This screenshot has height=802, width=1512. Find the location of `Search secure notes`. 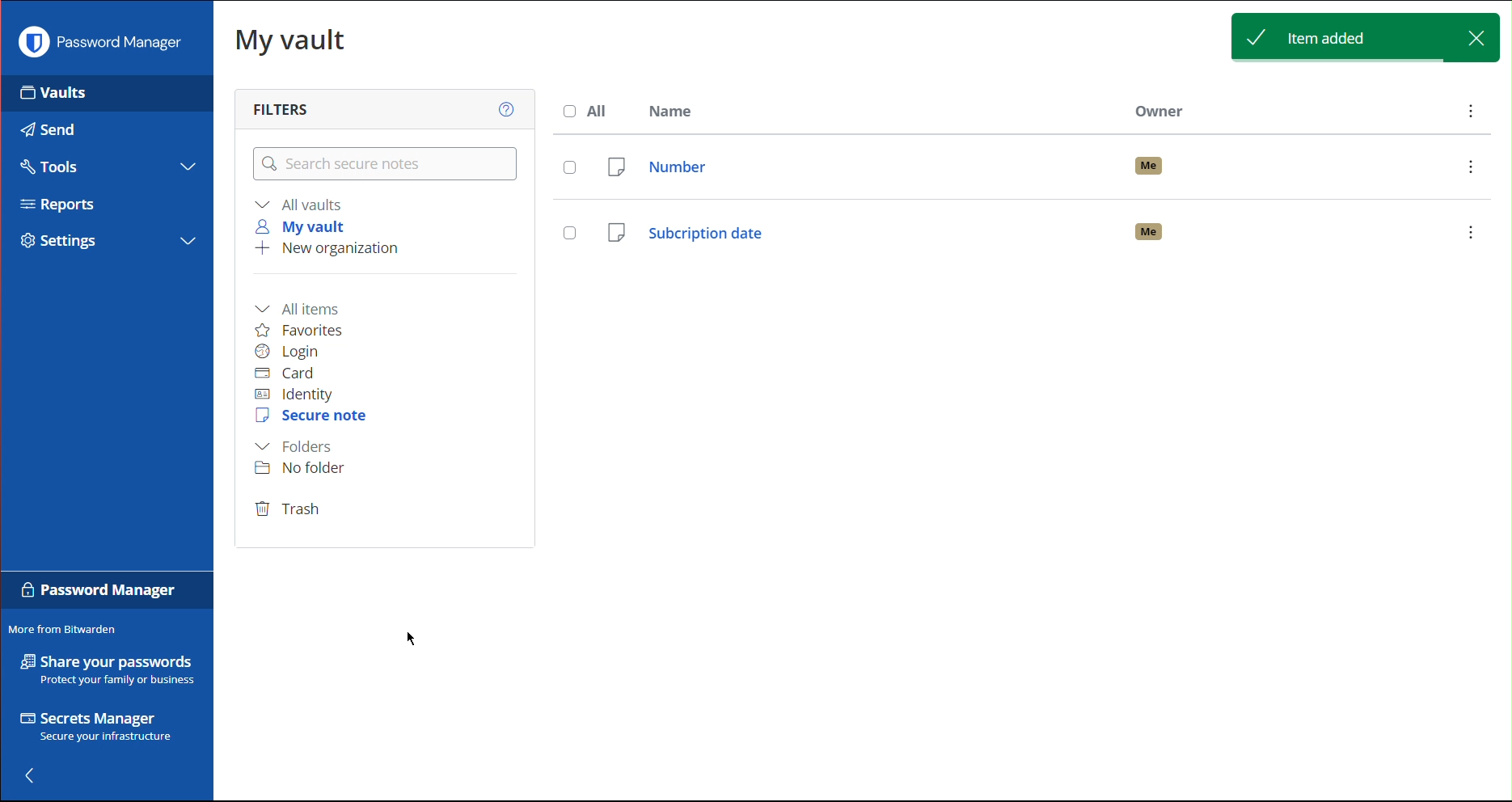

Search secure notes is located at coordinates (383, 164).